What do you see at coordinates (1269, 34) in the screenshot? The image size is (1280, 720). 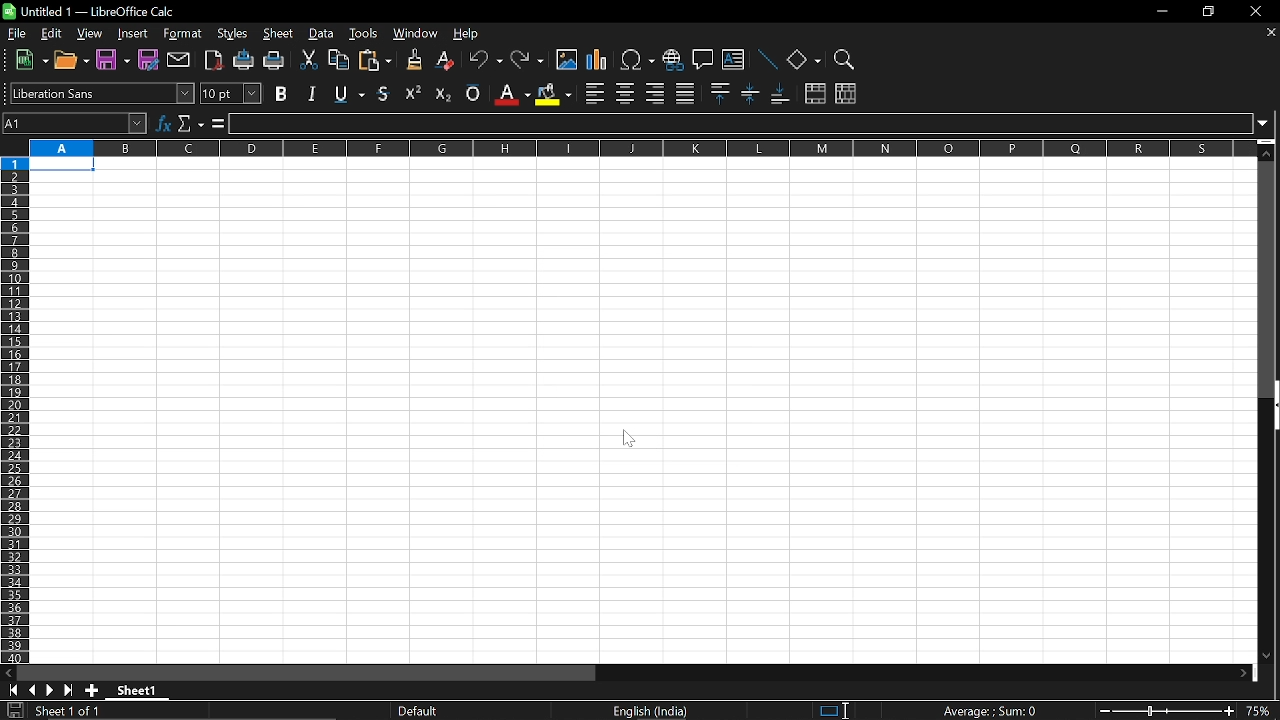 I see `close current sheet` at bounding box center [1269, 34].